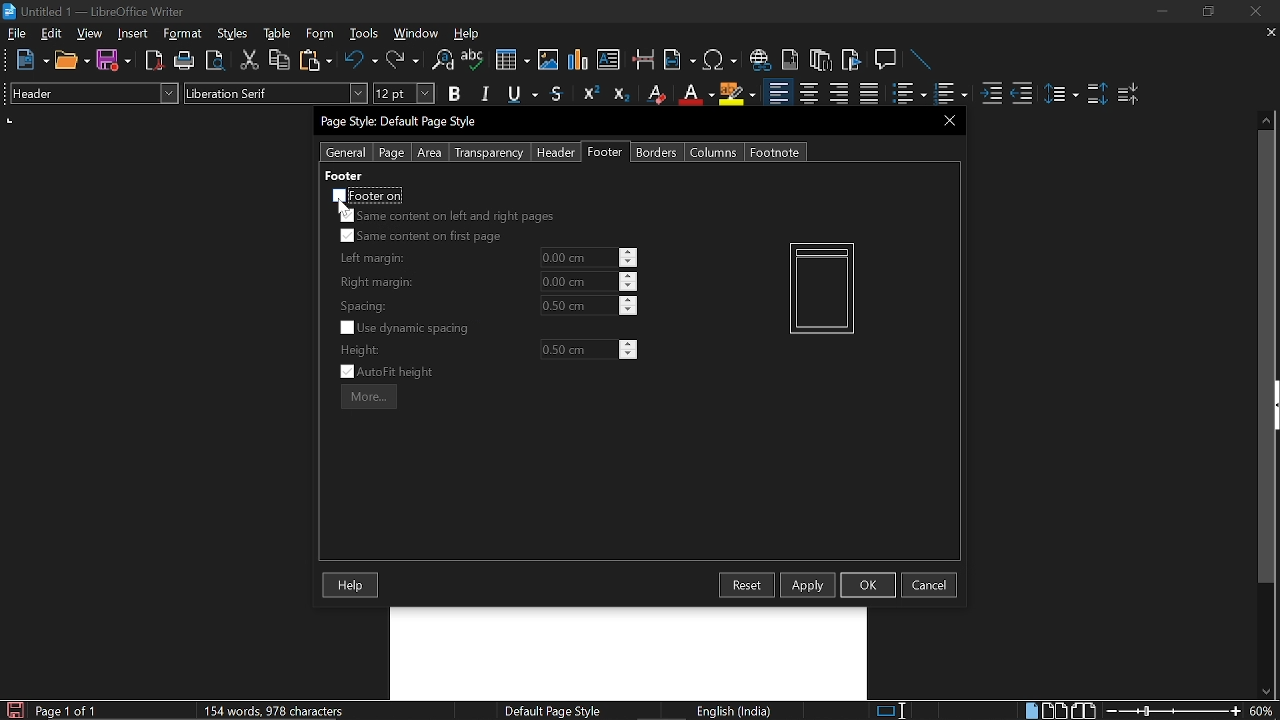  Describe the element at coordinates (852, 61) in the screenshot. I see `Insert bibliography` at that location.